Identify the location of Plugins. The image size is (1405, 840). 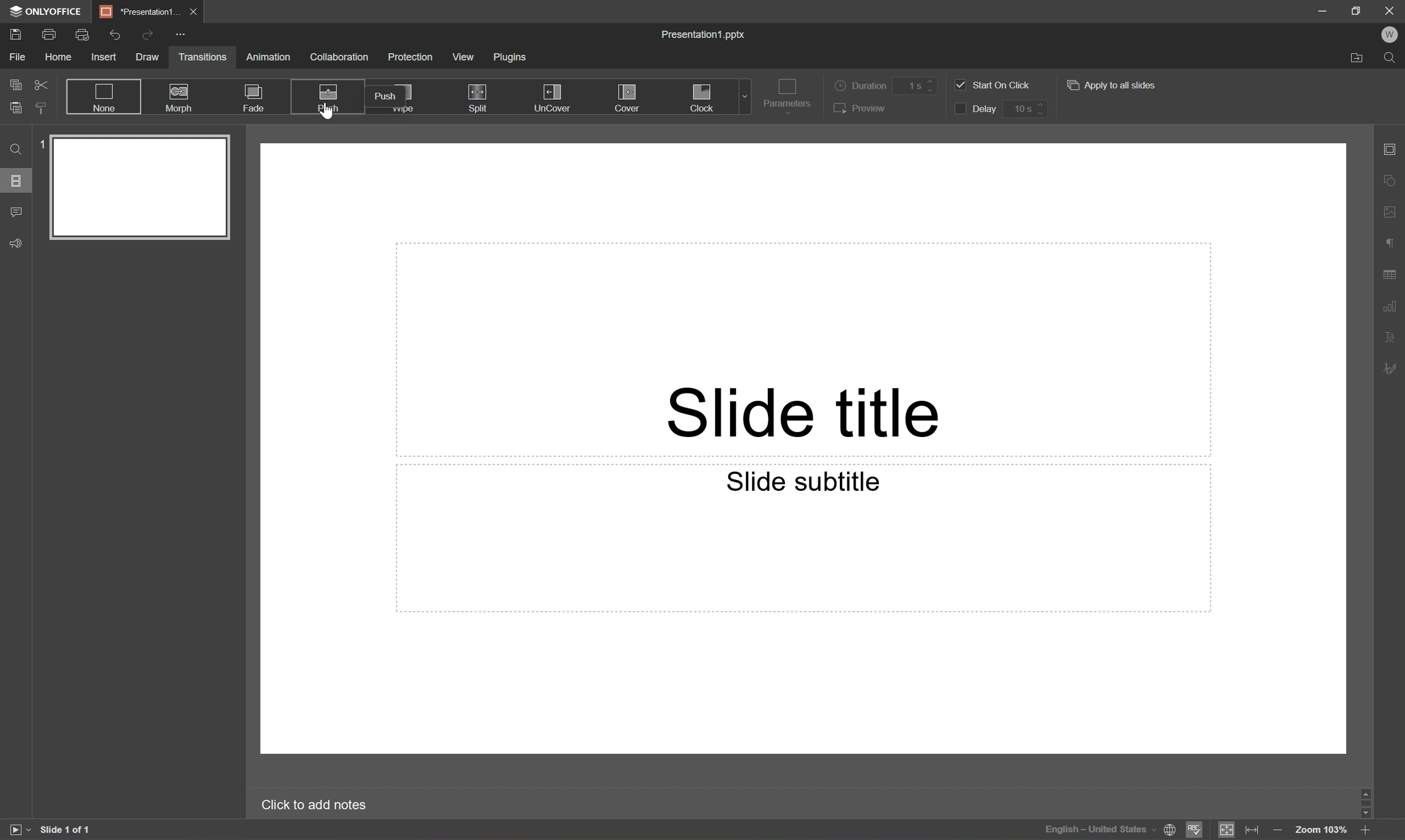
(514, 57).